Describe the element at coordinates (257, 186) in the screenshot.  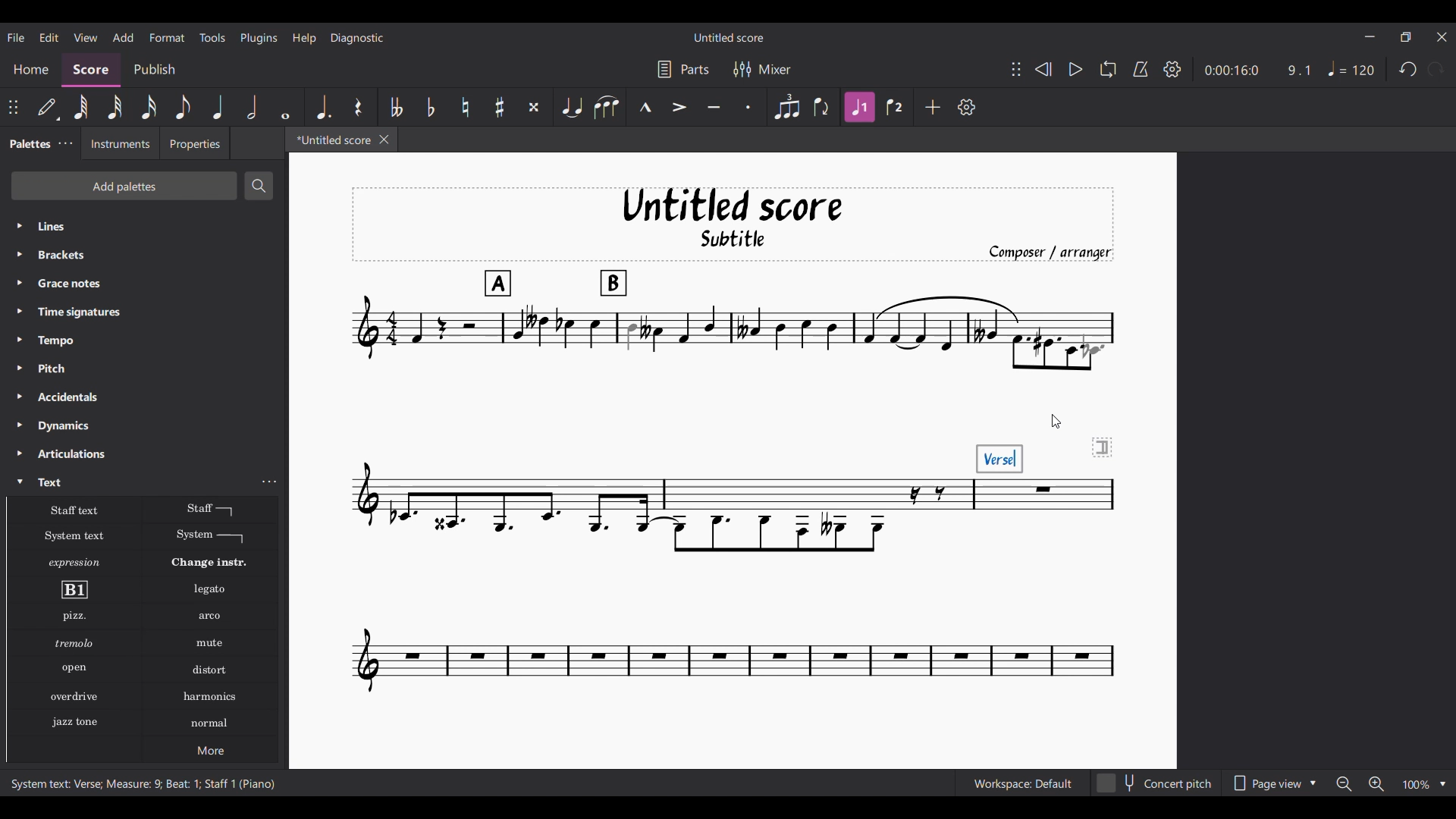
I see `Search` at that location.